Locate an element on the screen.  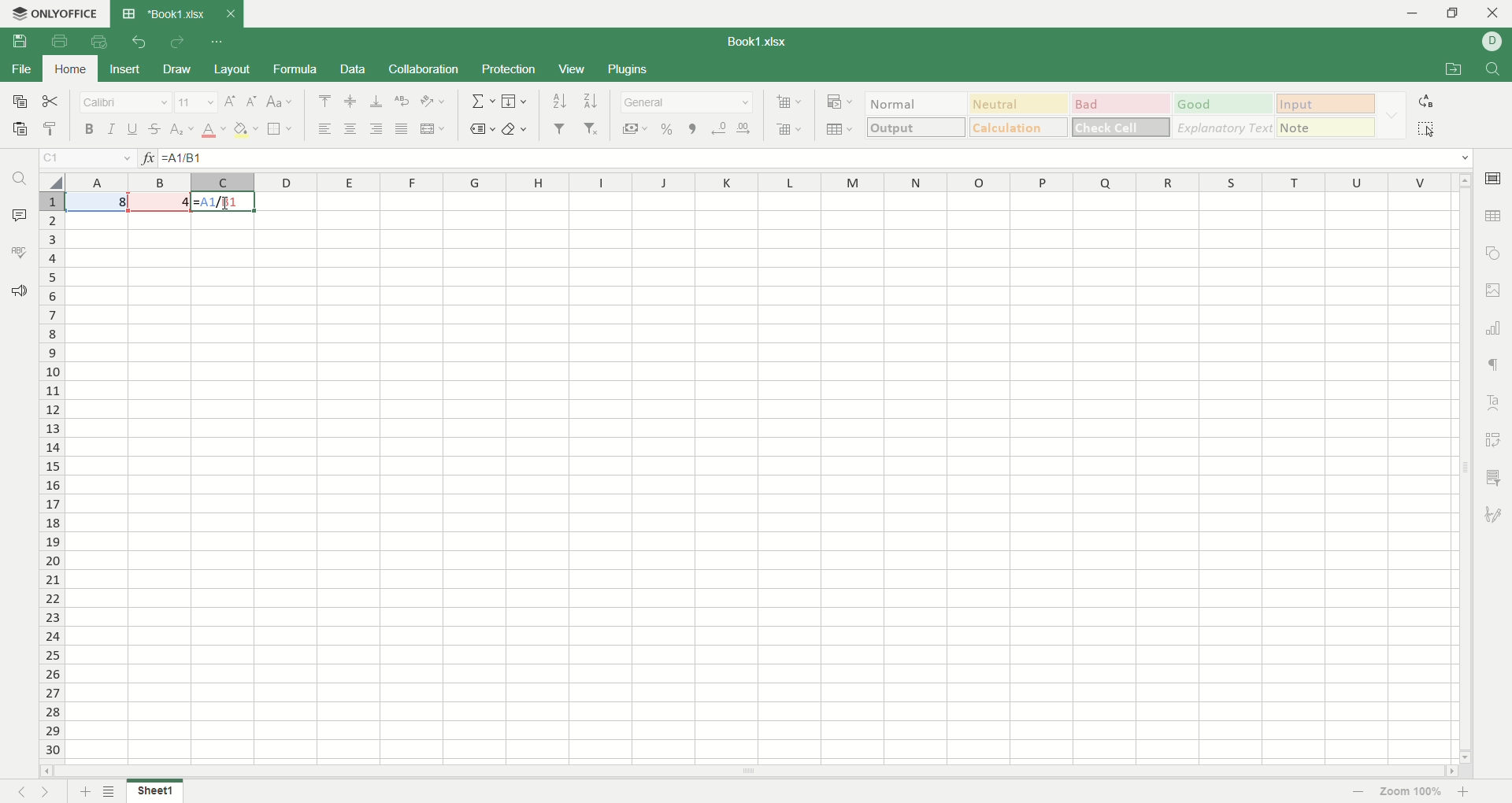
new sheet is located at coordinates (83, 792).